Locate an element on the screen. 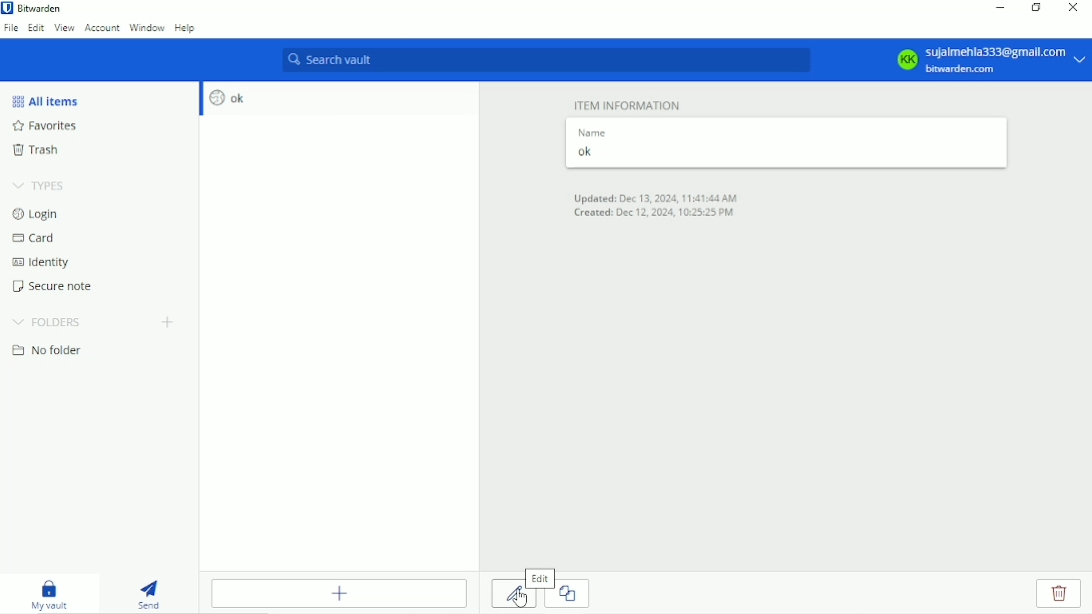 The image size is (1092, 614). My vault is located at coordinates (53, 593).